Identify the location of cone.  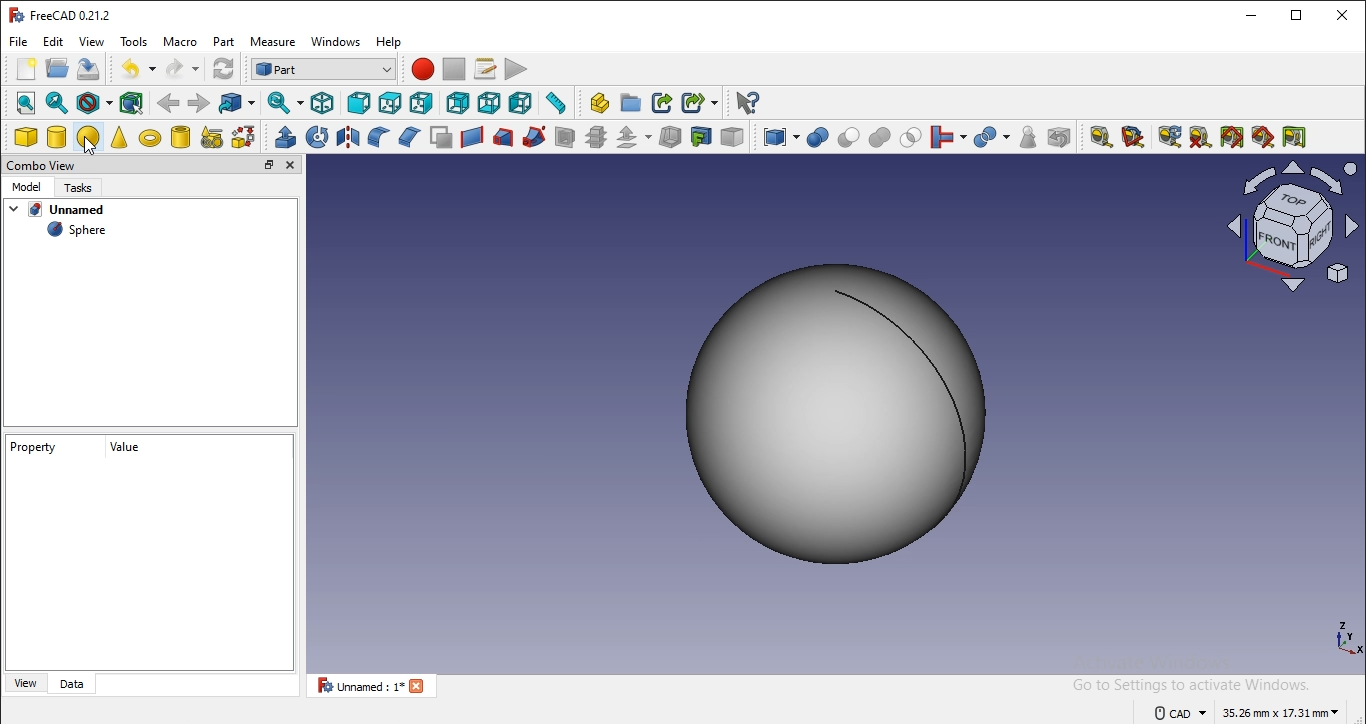
(120, 138).